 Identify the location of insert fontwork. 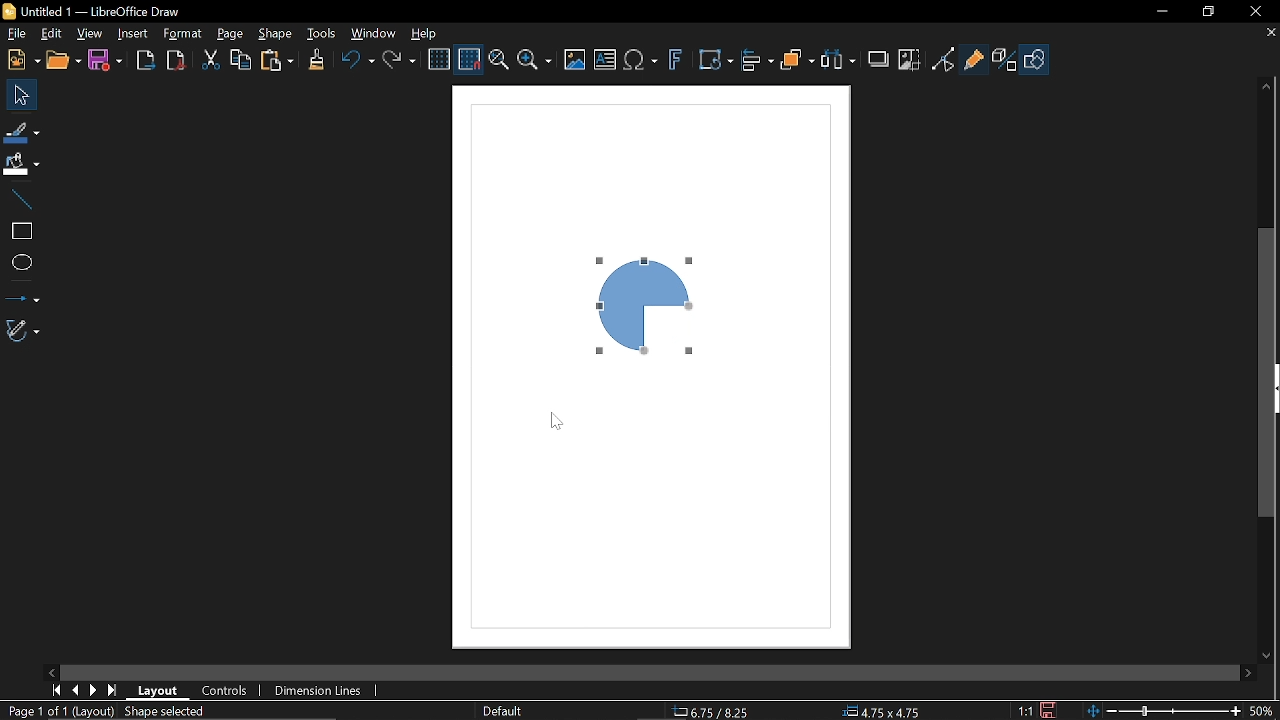
(677, 61).